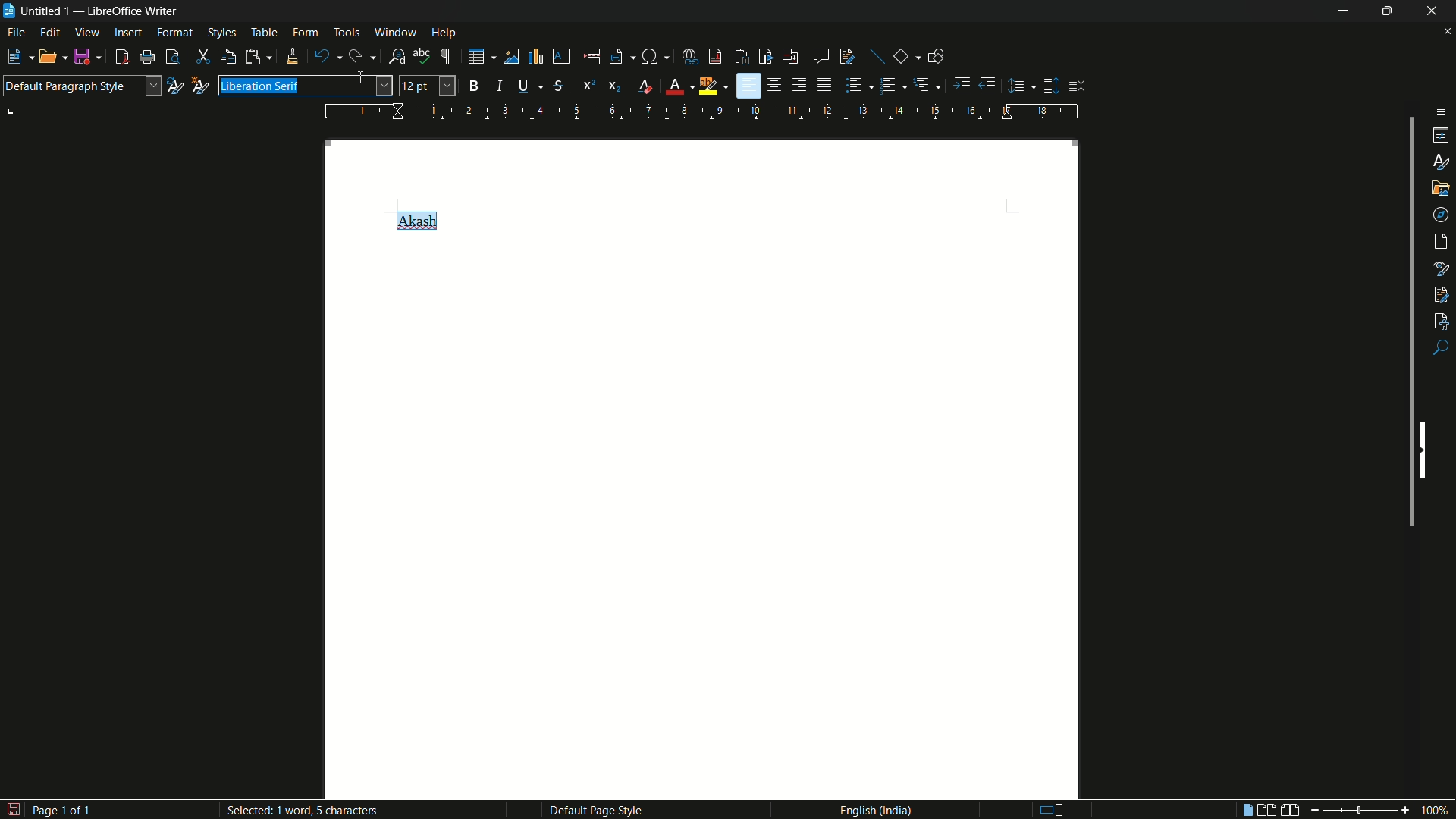  Describe the element at coordinates (261, 88) in the screenshot. I see `text is selected` at that location.